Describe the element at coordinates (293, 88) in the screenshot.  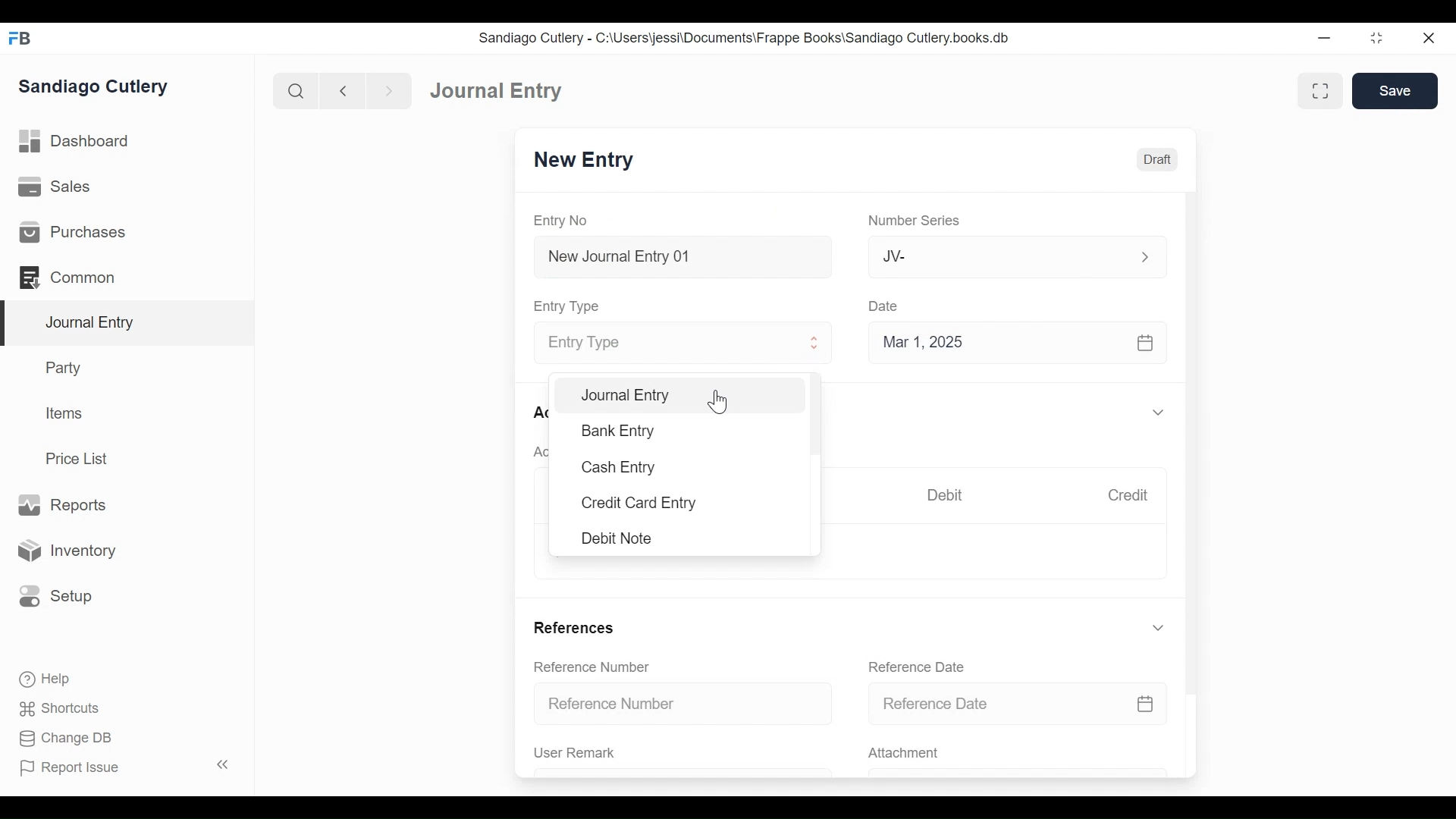
I see `search ` at that location.